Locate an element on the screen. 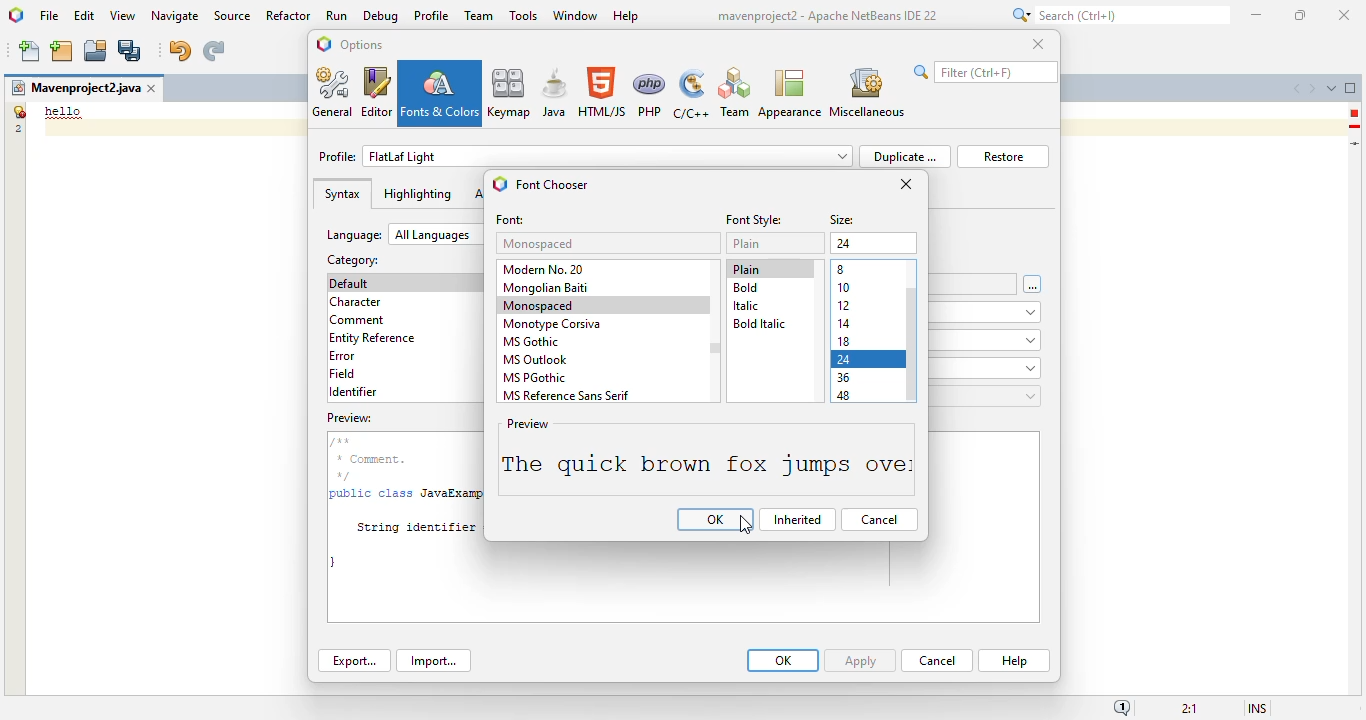 The height and width of the screenshot is (720, 1366). hint is located at coordinates (1355, 127).